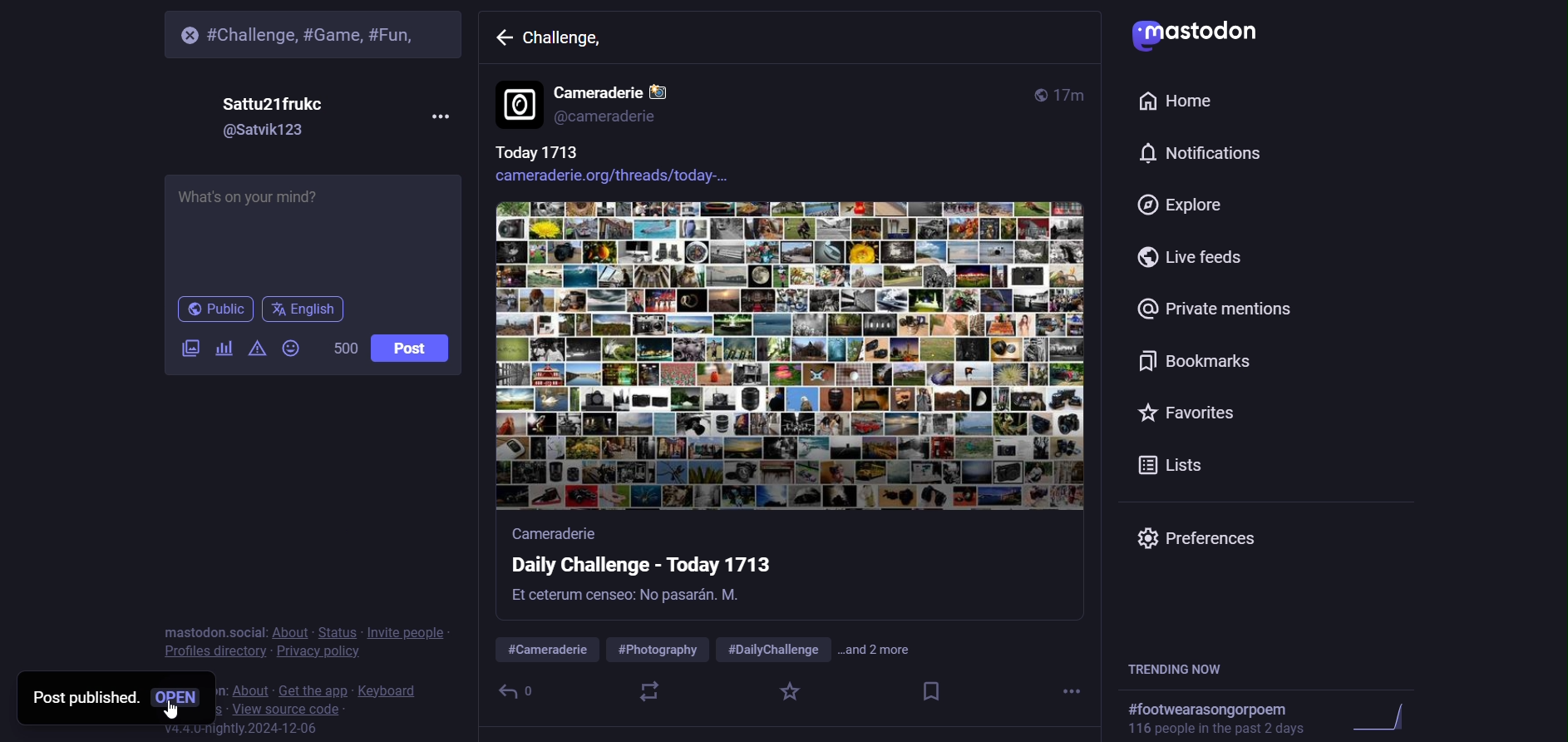 This screenshot has width=1568, height=742. I want to click on reply, so click(507, 691).